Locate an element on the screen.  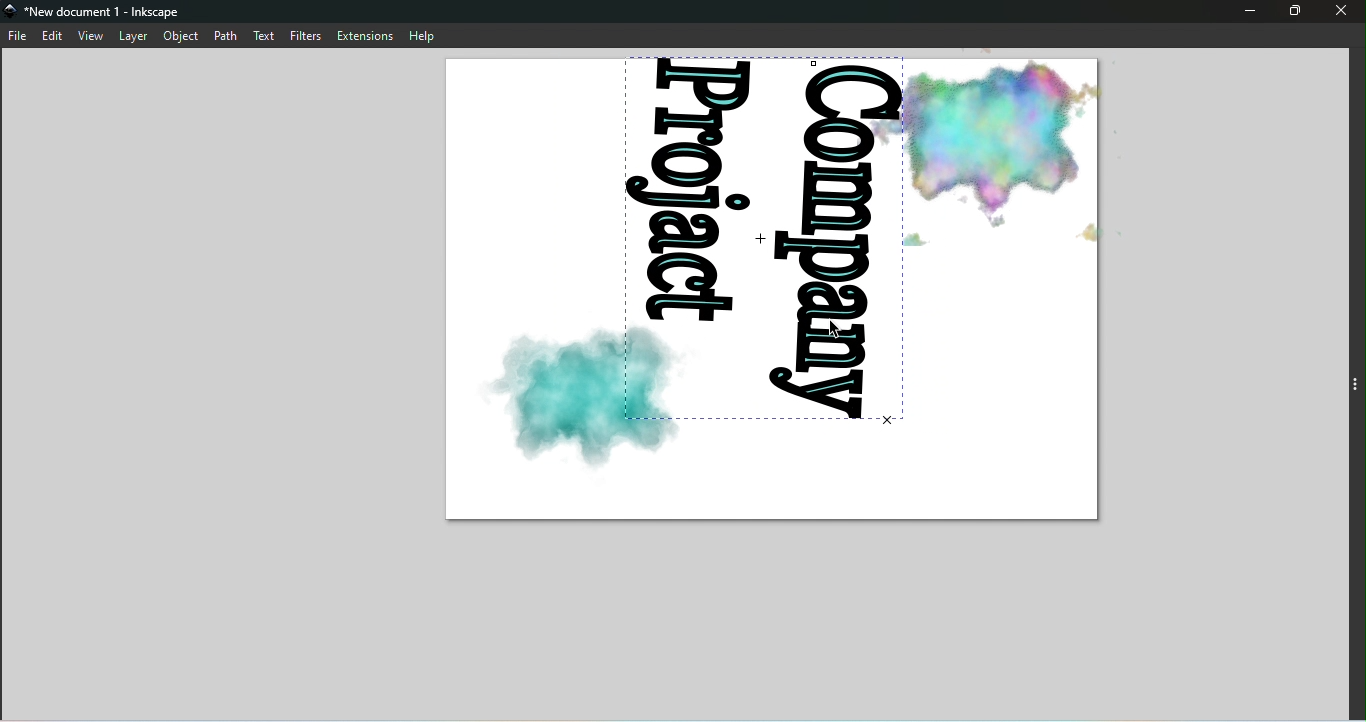
Object is located at coordinates (181, 37).